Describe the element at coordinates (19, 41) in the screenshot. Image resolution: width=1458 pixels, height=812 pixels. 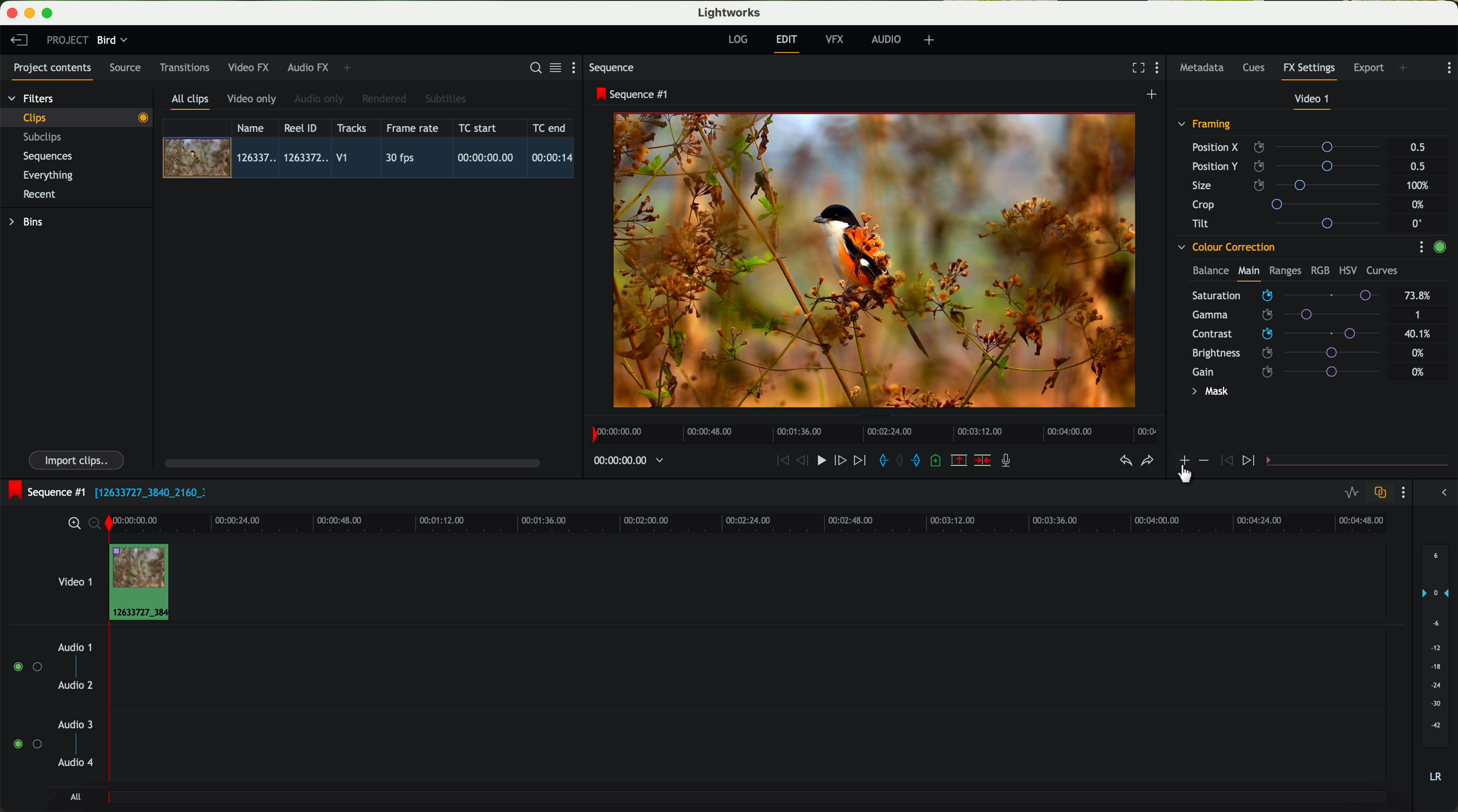
I see `leave` at that location.